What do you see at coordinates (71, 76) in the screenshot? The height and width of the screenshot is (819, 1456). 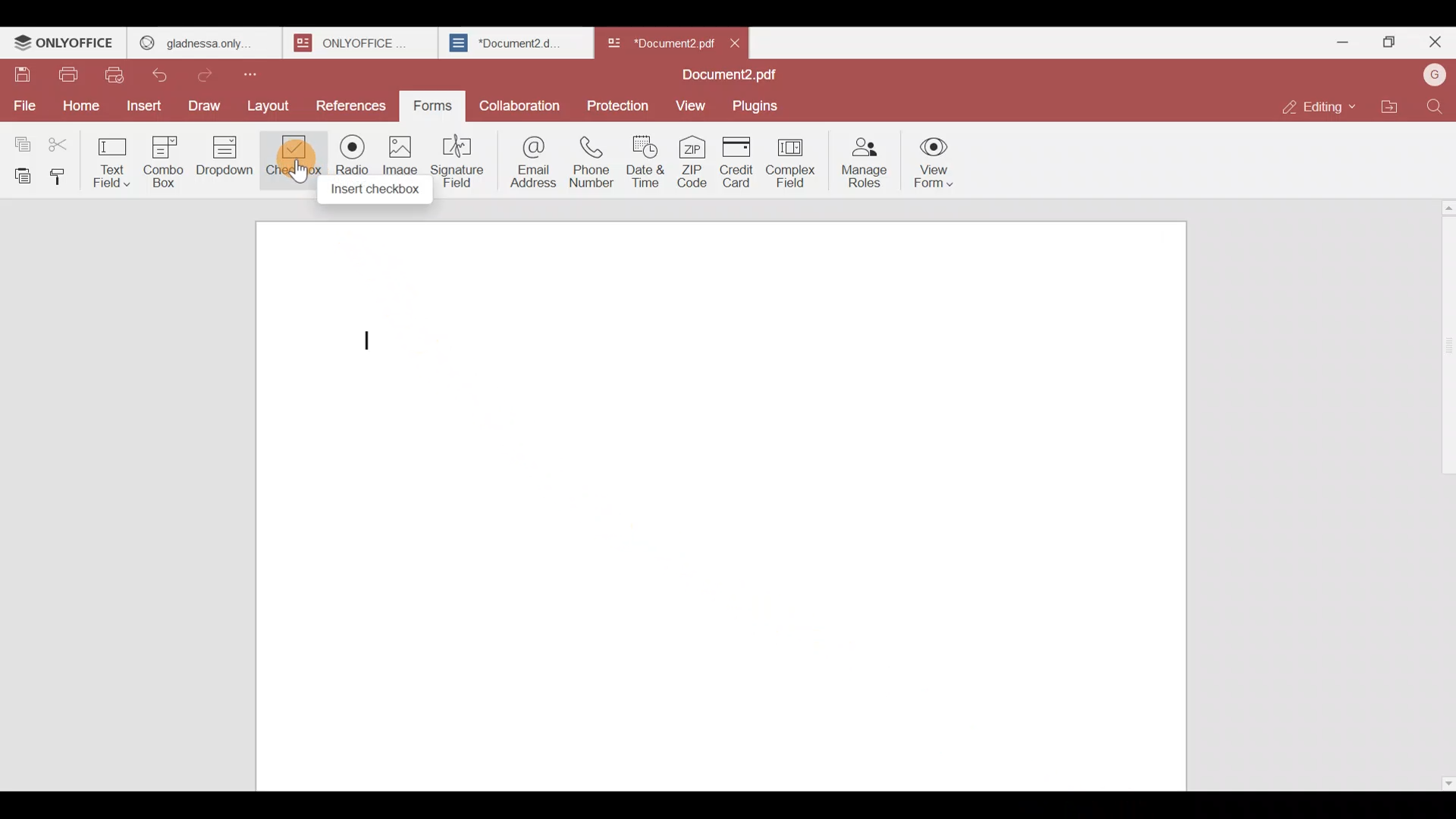 I see `Print file` at bounding box center [71, 76].